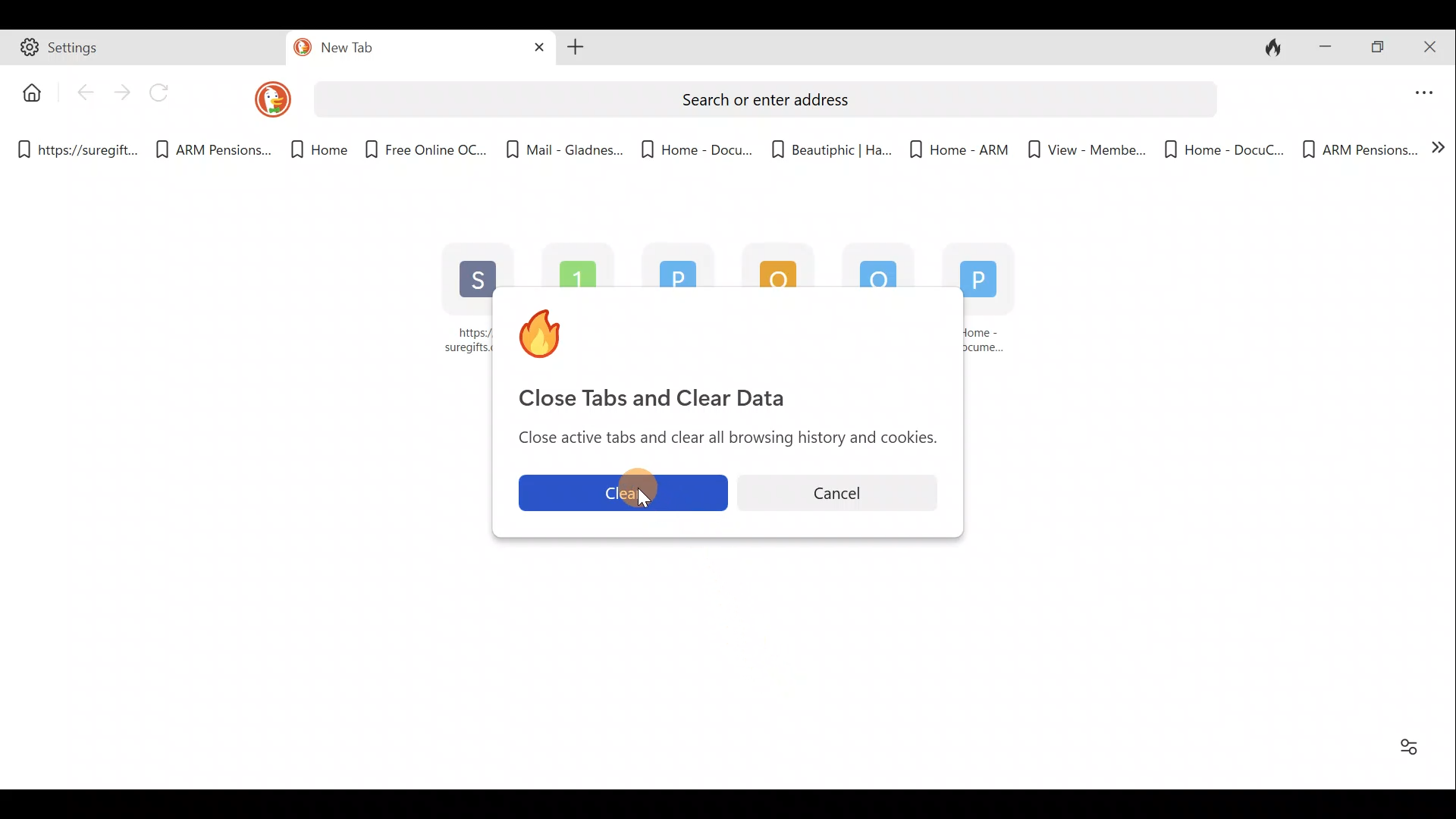 The image size is (1456, 819). I want to click on ARM Pensions., so click(209, 150).